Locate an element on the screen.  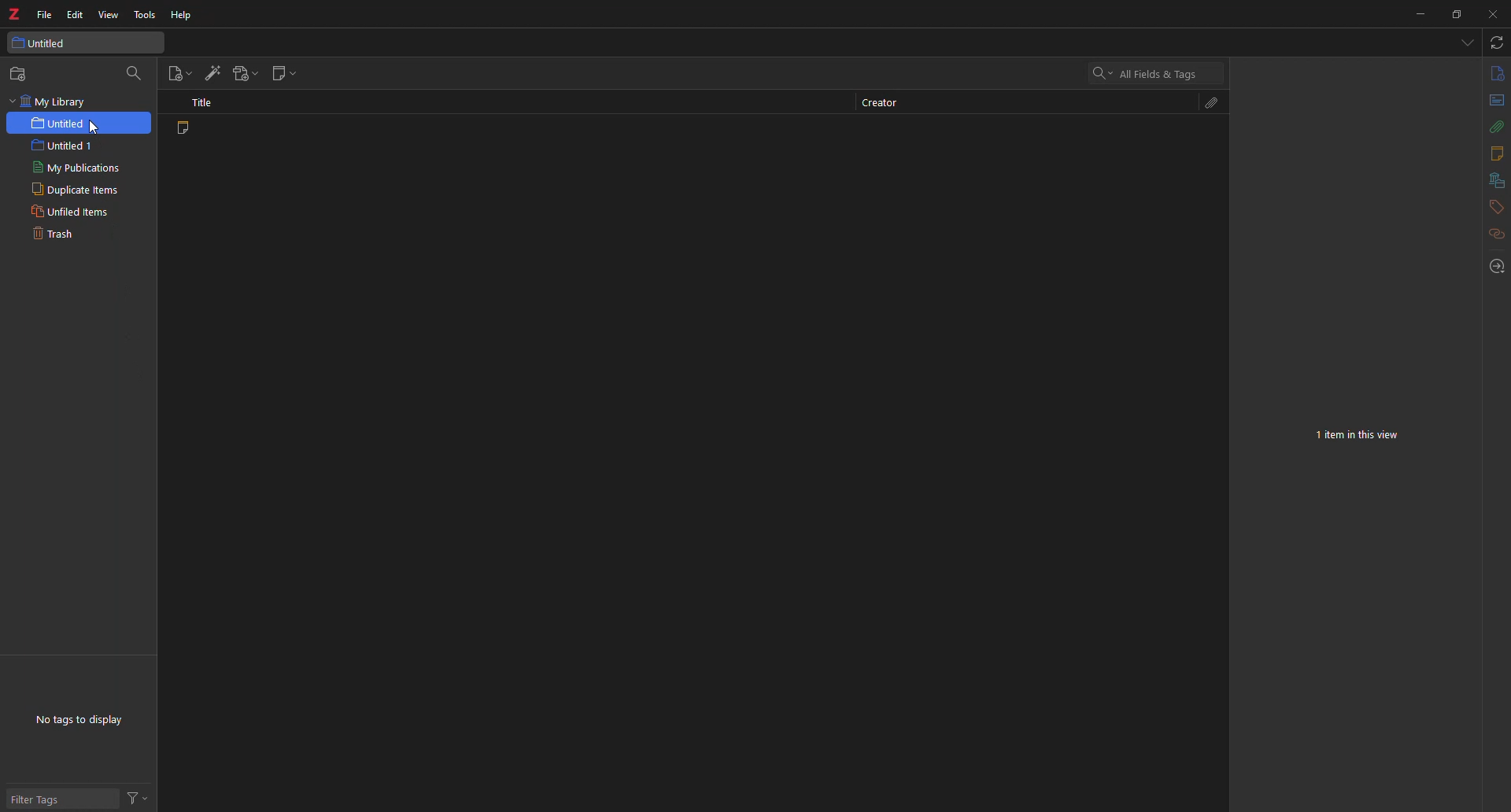
related is located at coordinates (1495, 234).